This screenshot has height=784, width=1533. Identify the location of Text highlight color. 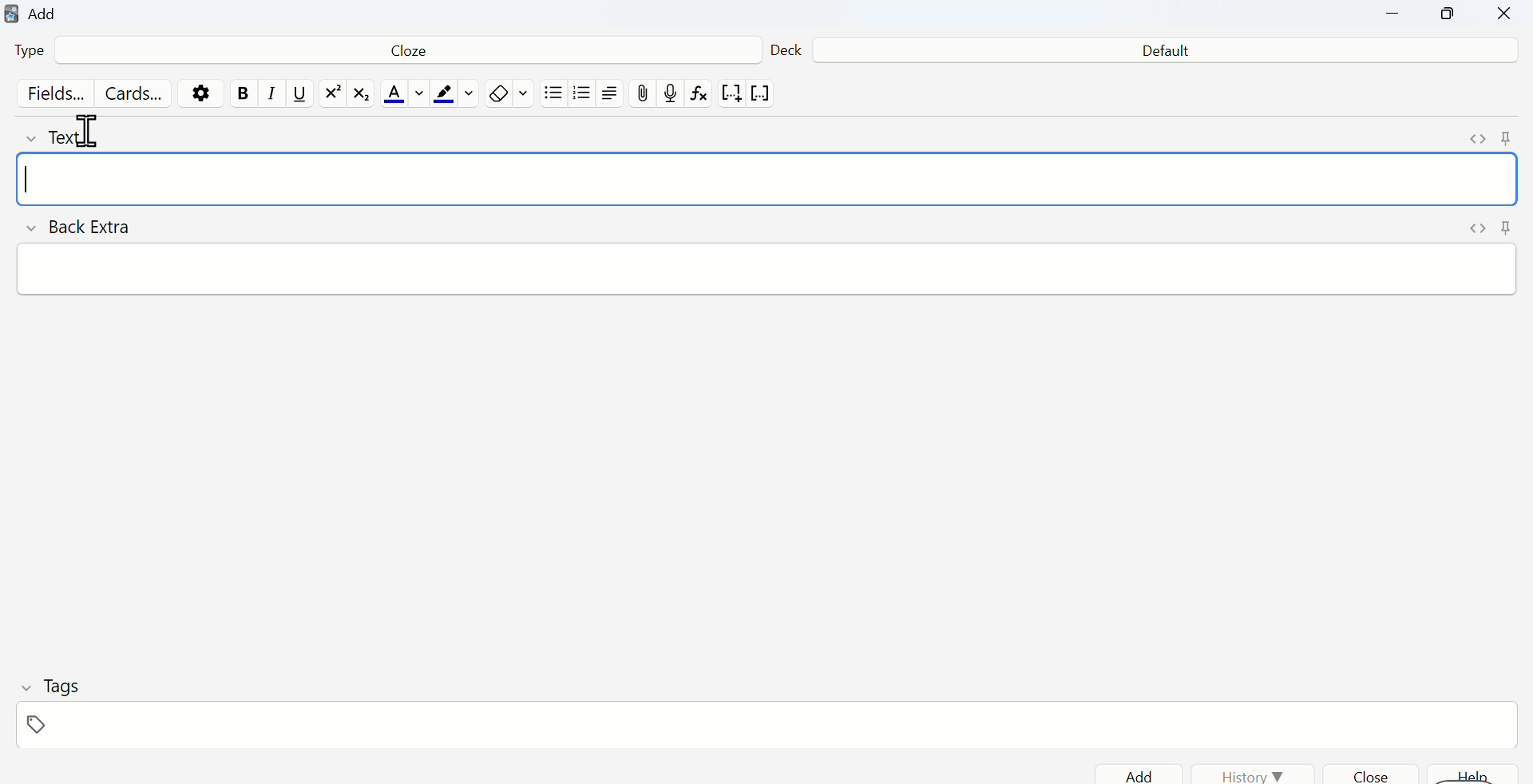
(456, 95).